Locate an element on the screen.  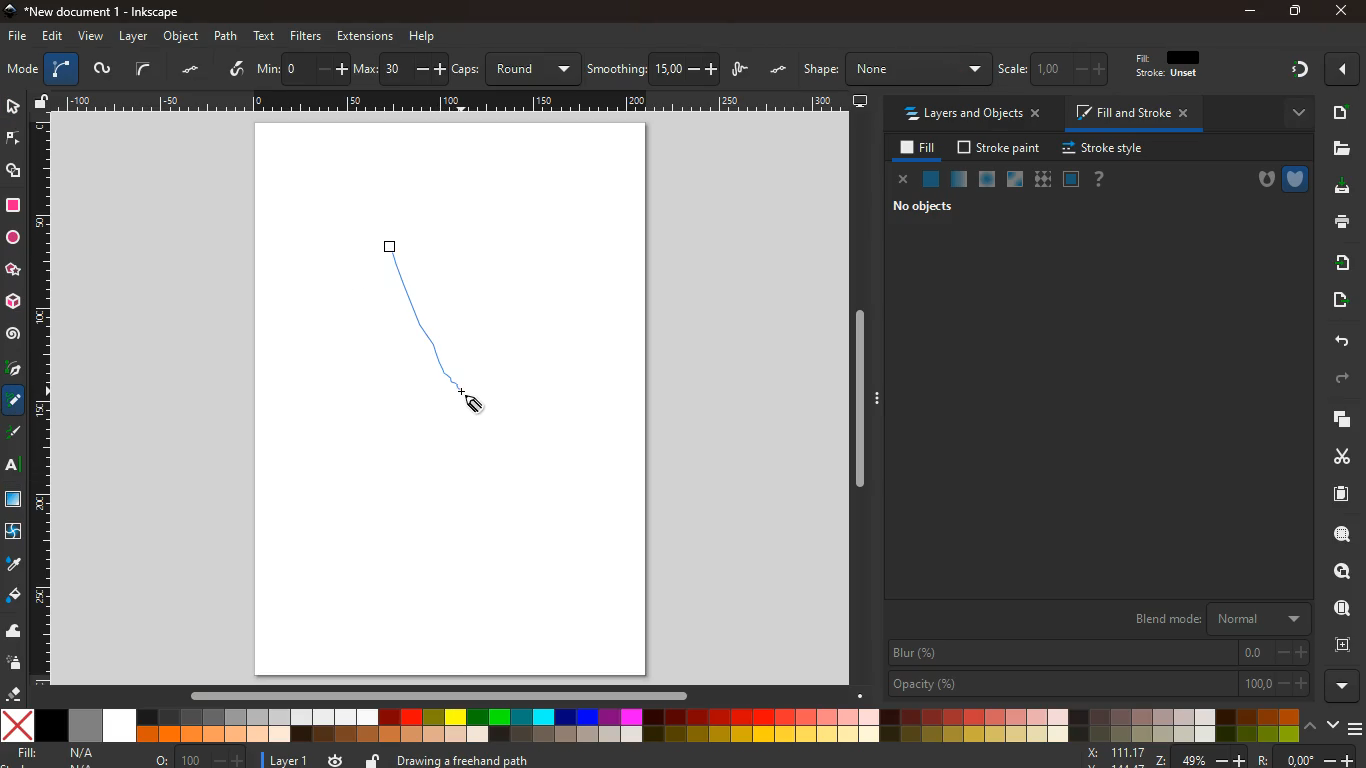
send is located at coordinates (1338, 300).